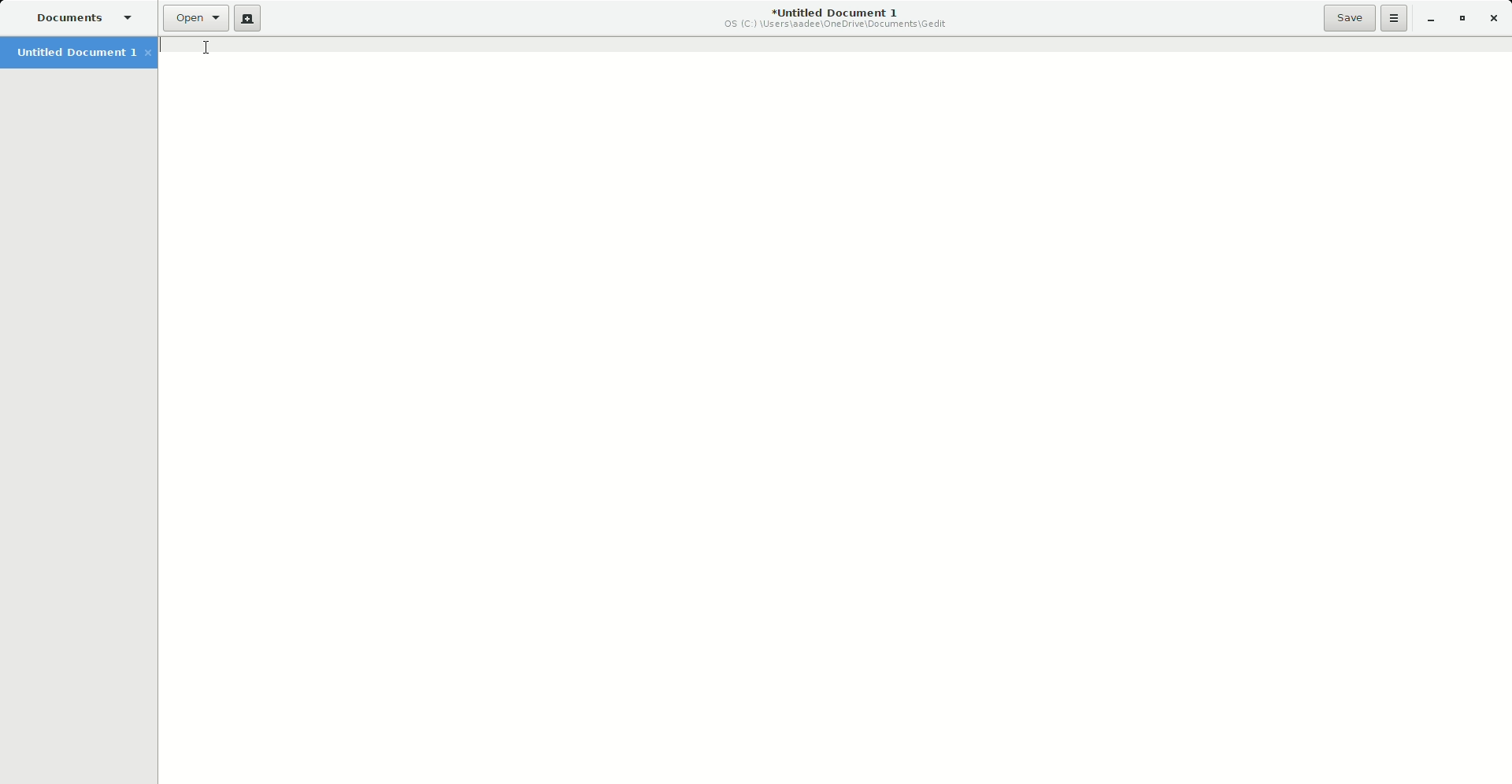  What do you see at coordinates (1430, 20) in the screenshot?
I see `Minimize` at bounding box center [1430, 20].